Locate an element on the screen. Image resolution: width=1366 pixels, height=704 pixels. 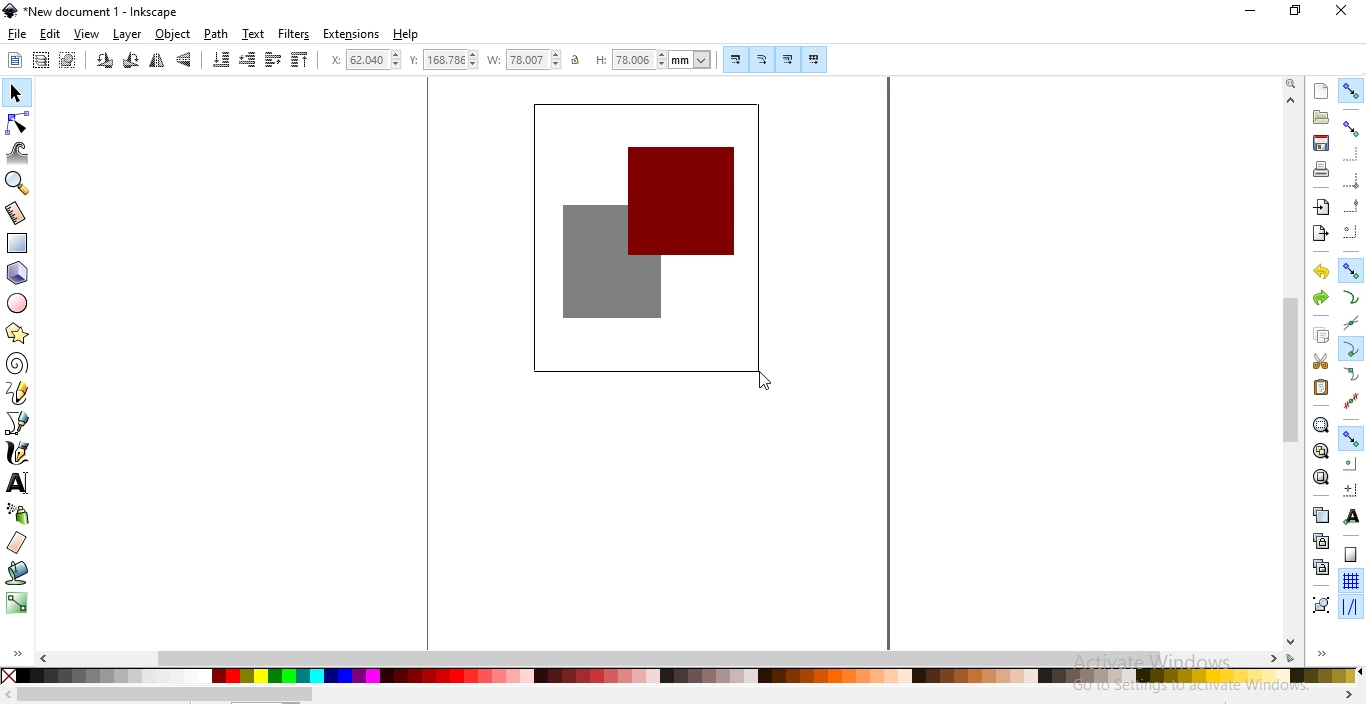
snap text anchors and baselines is located at coordinates (1350, 518).